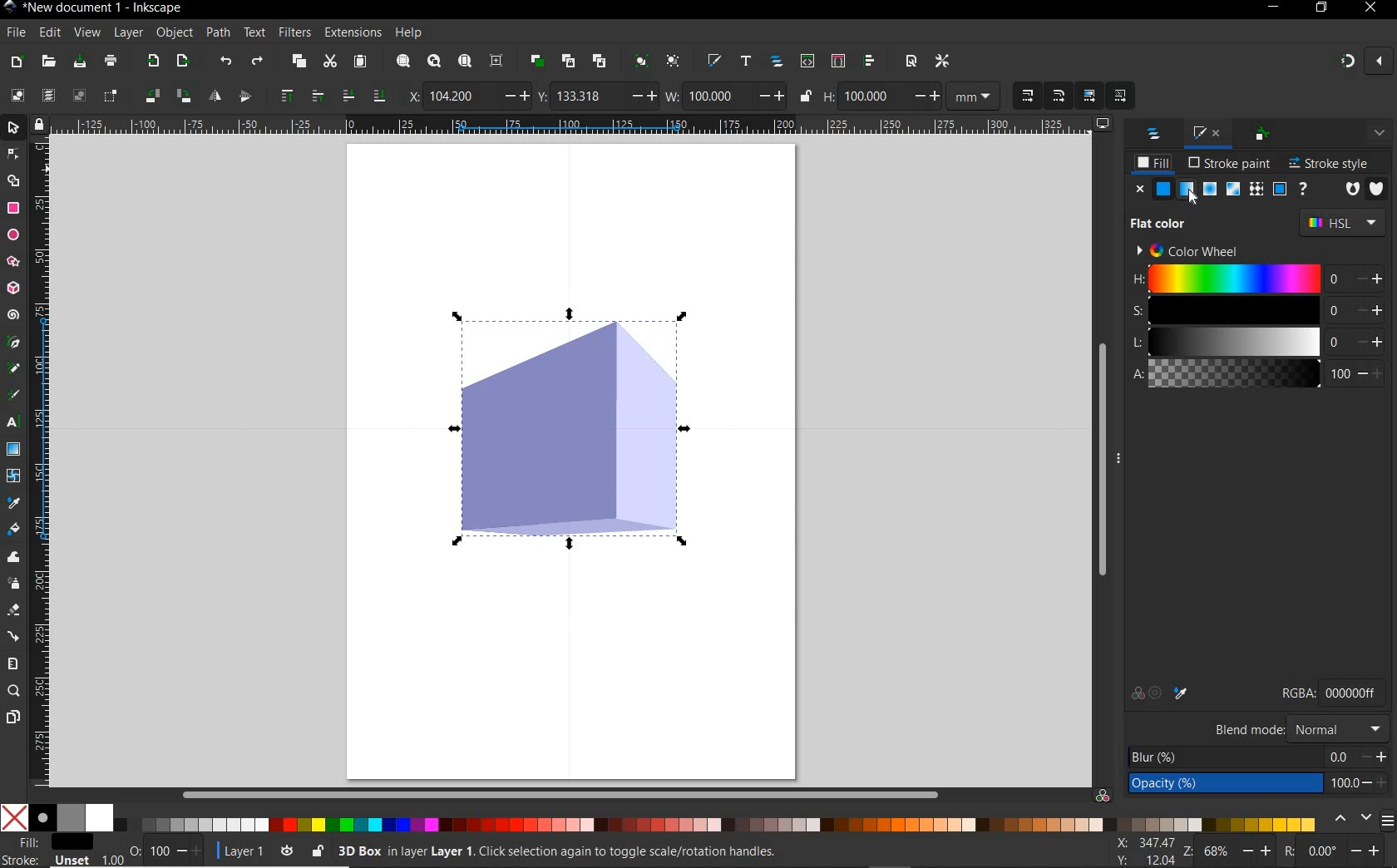 This screenshot has width=1397, height=868. What do you see at coordinates (287, 851) in the screenshot?
I see `TOGGLE CURRENT LAYER VISIBILITY` at bounding box center [287, 851].